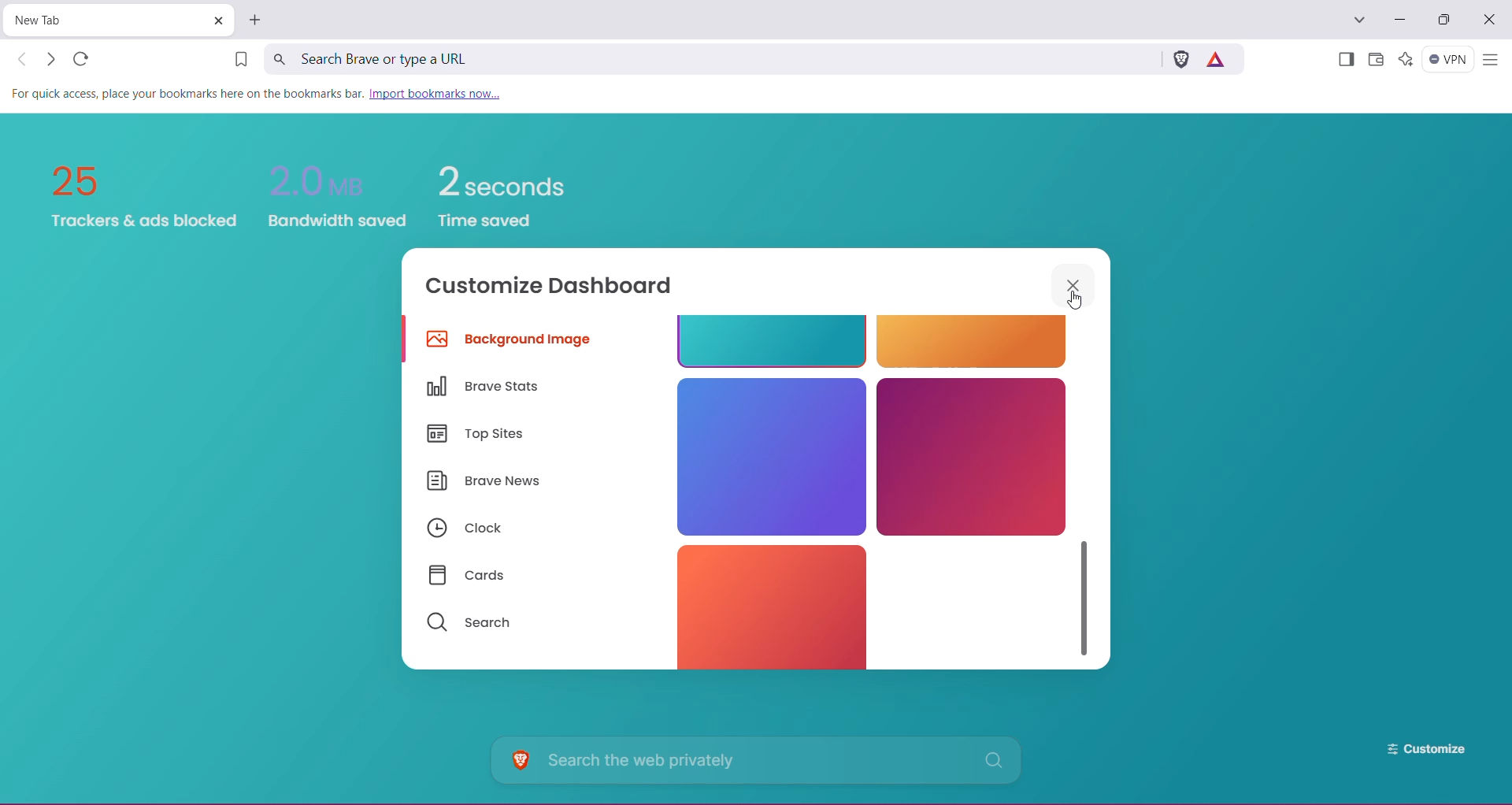  I want to click on Close, so click(1075, 284).